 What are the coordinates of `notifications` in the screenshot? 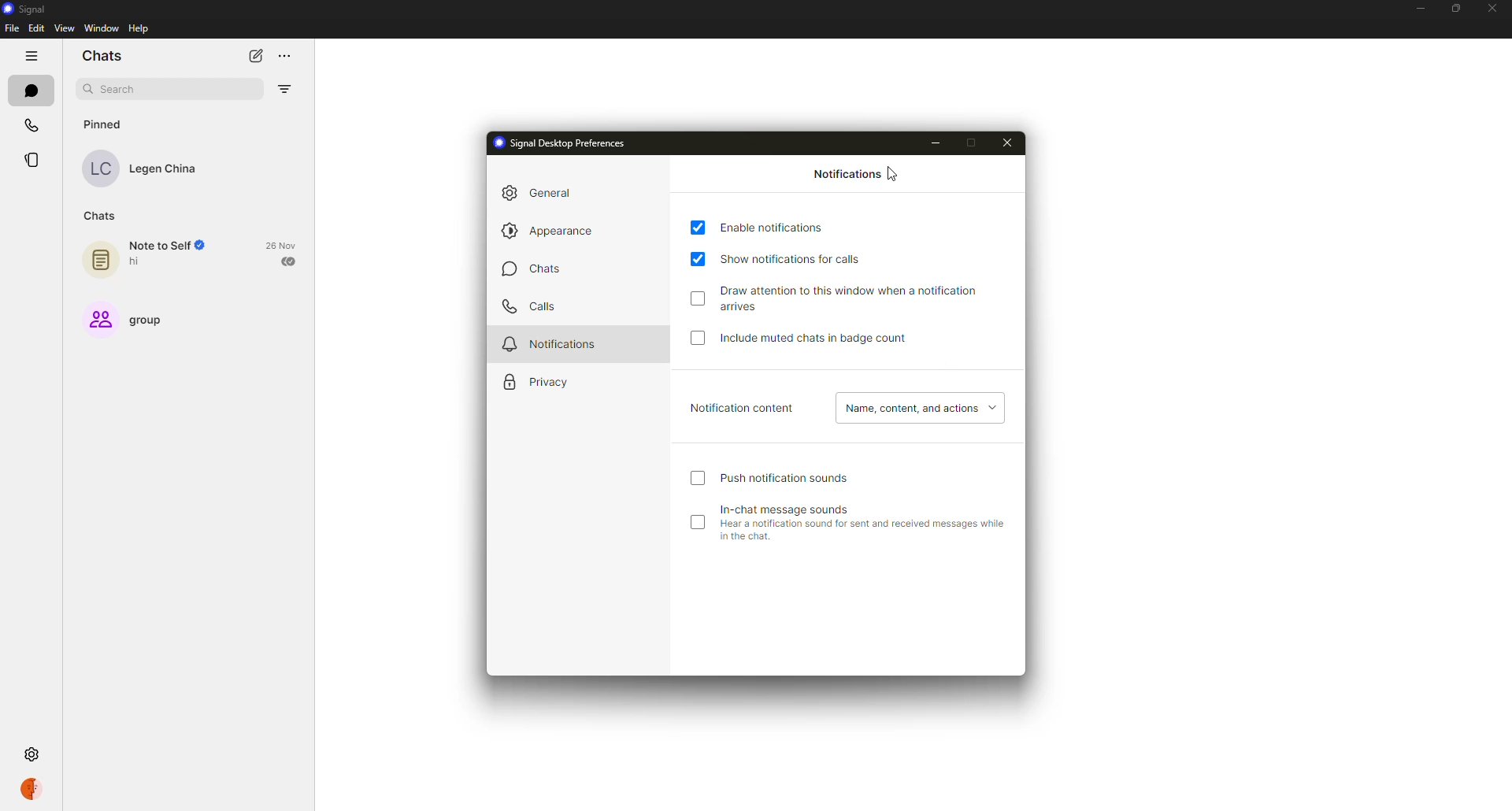 It's located at (556, 343).